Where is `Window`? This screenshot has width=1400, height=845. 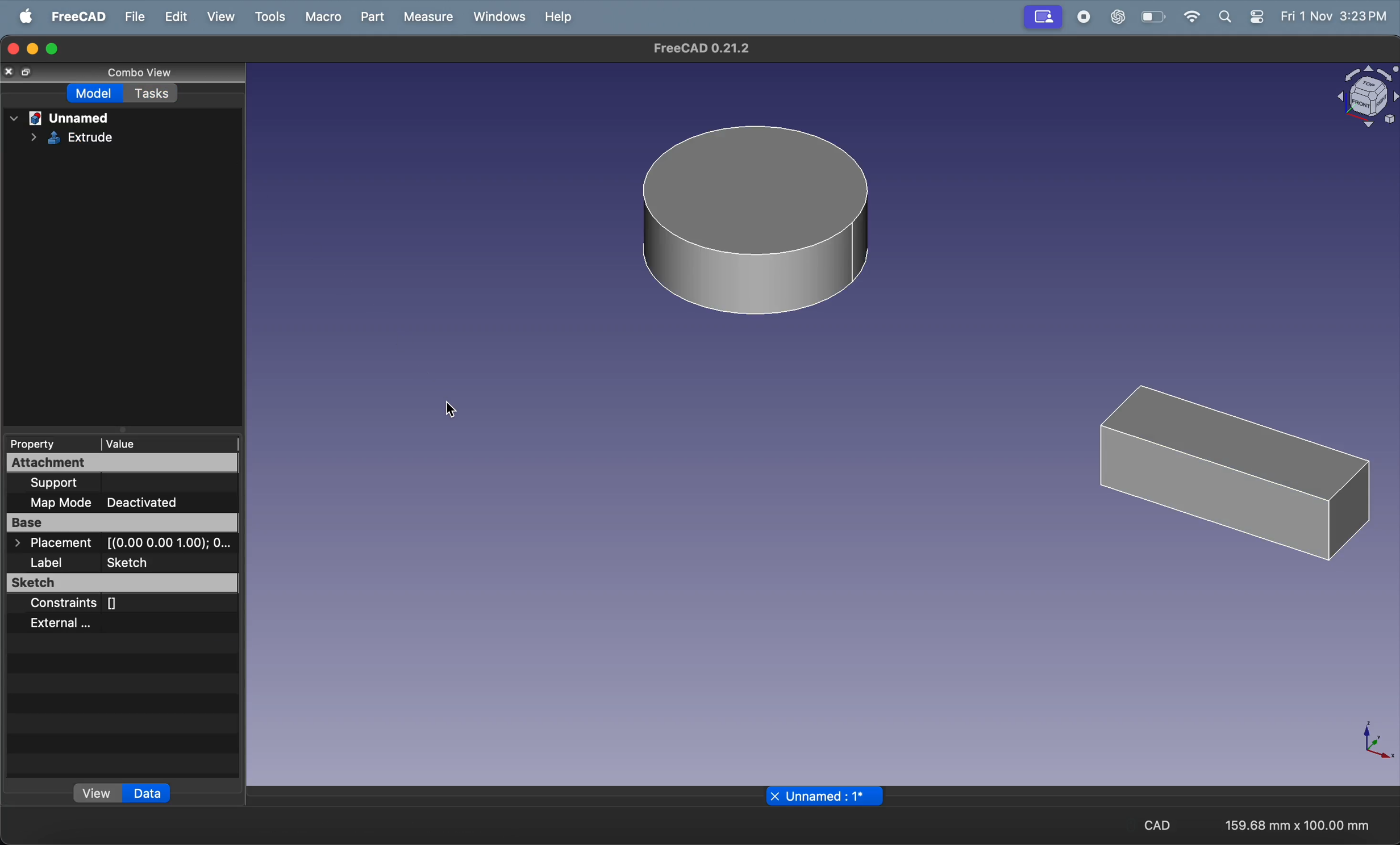
Window is located at coordinates (500, 17).